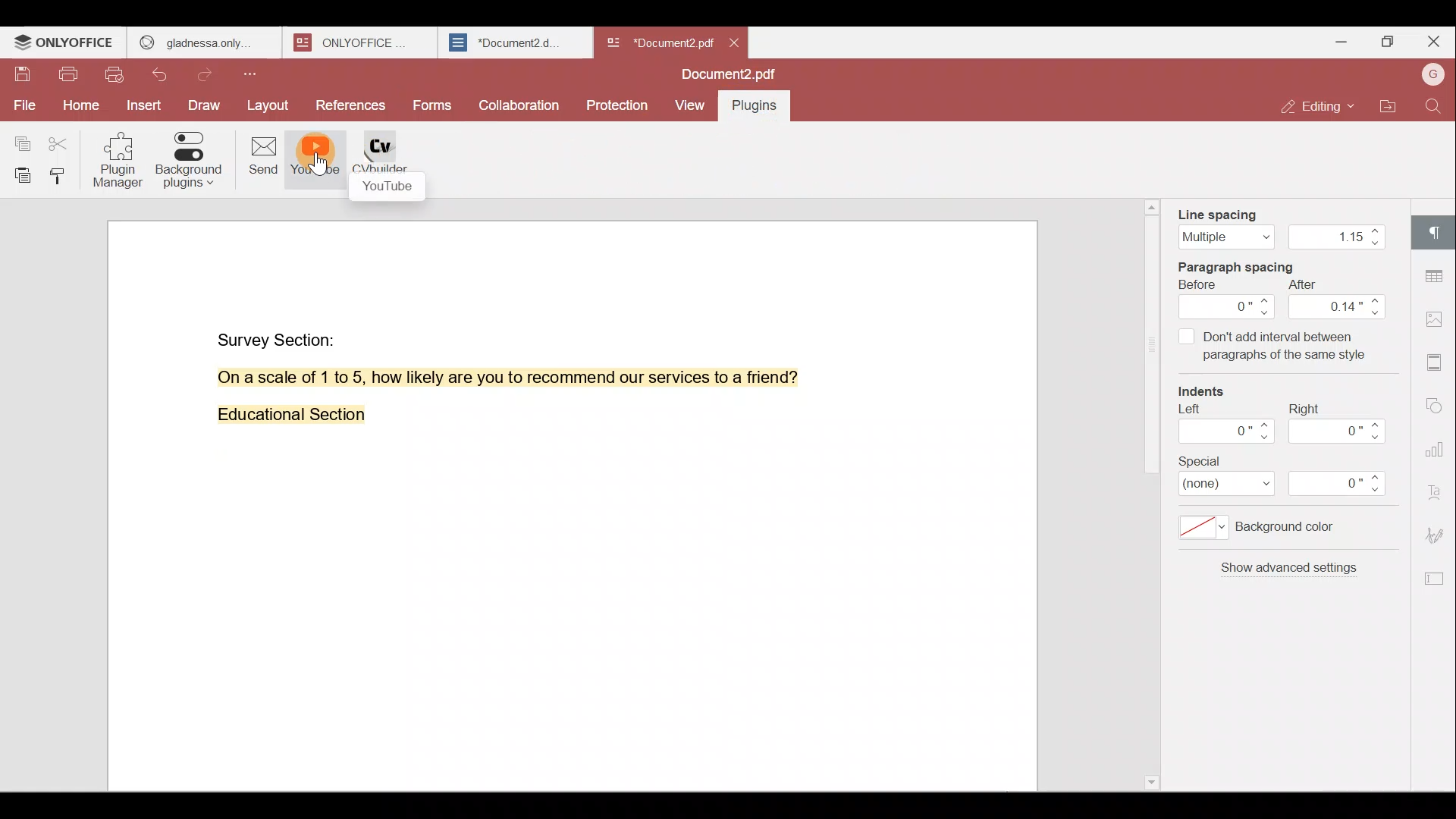 Image resolution: width=1456 pixels, height=819 pixels. I want to click on CV builder, so click(390, 164).